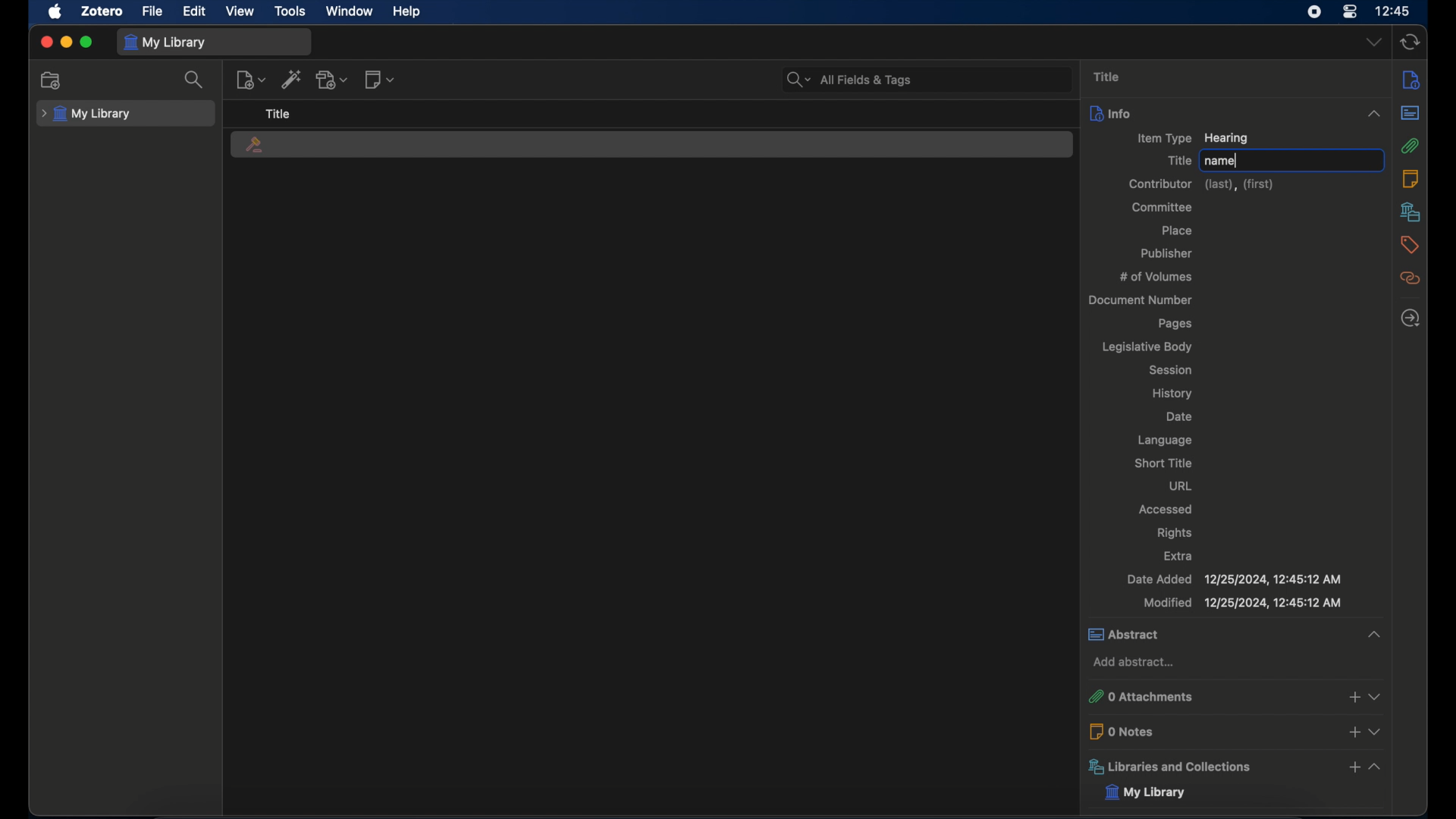 The image size is (1456, 819). Describe the element at coordinates (1243, 604) in the screenshot. I see `modified` at that location.